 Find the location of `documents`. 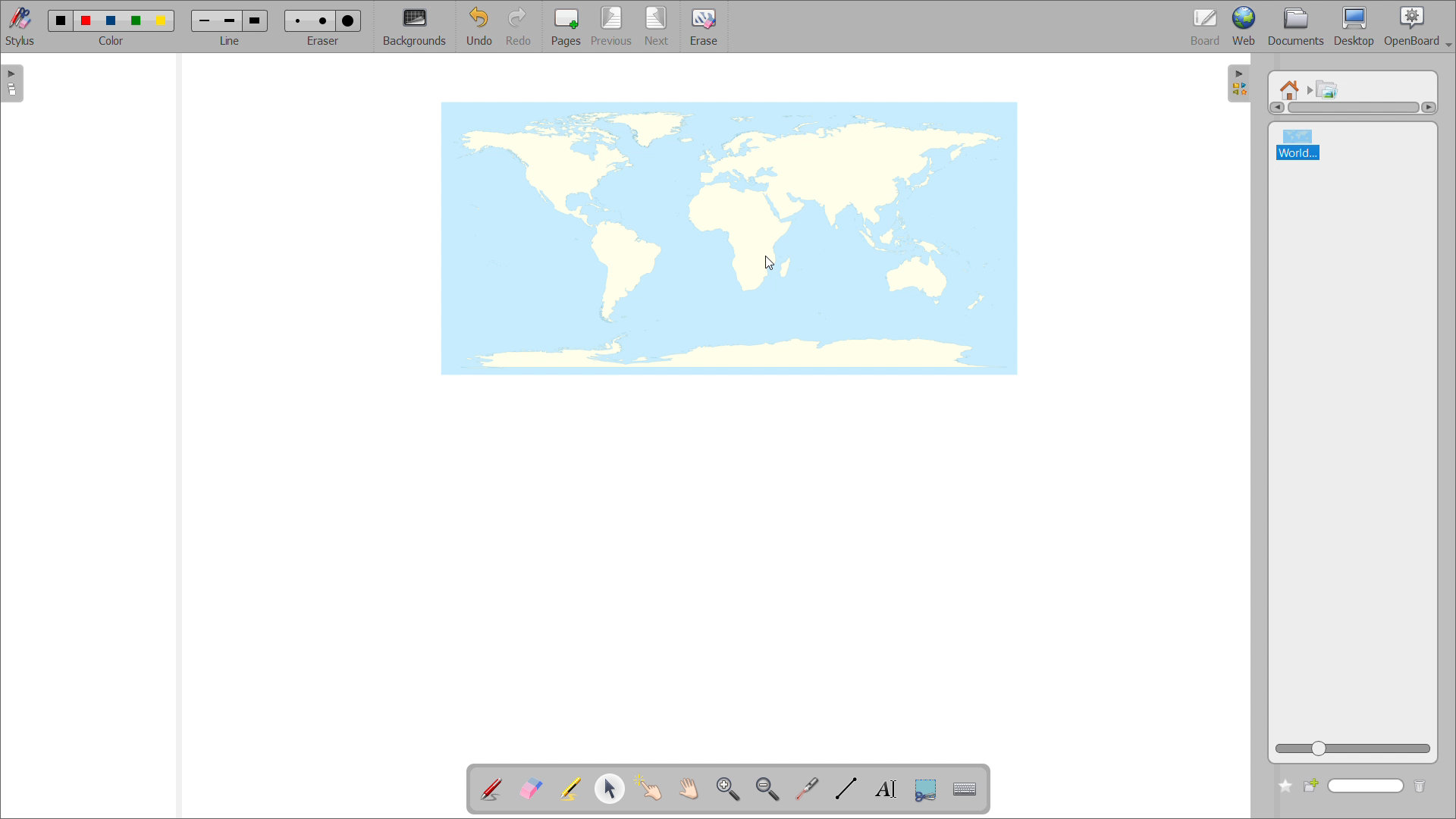

documents is located at coordinates (1296, 27).